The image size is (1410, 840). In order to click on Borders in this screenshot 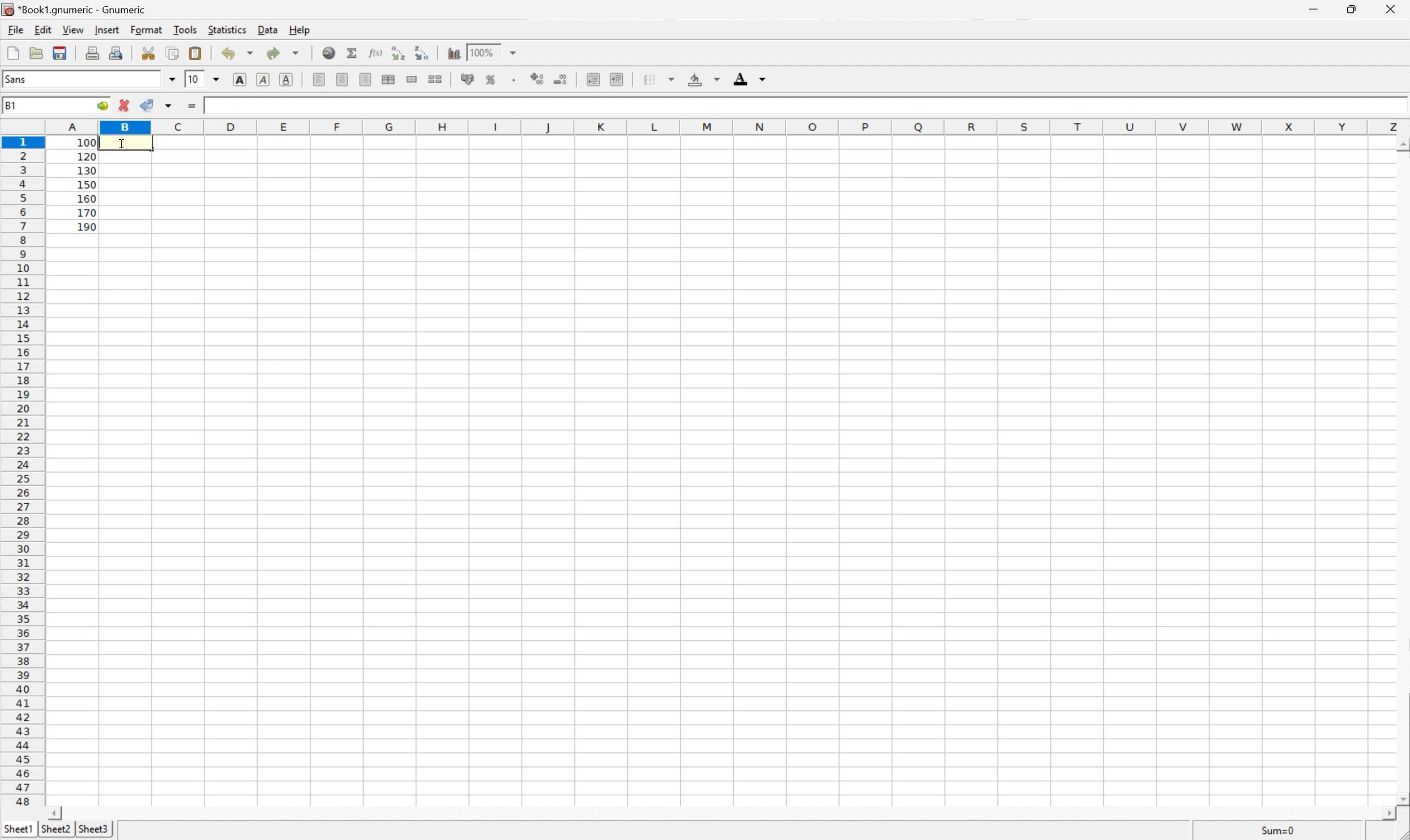, I will do `click(657, 79)`.